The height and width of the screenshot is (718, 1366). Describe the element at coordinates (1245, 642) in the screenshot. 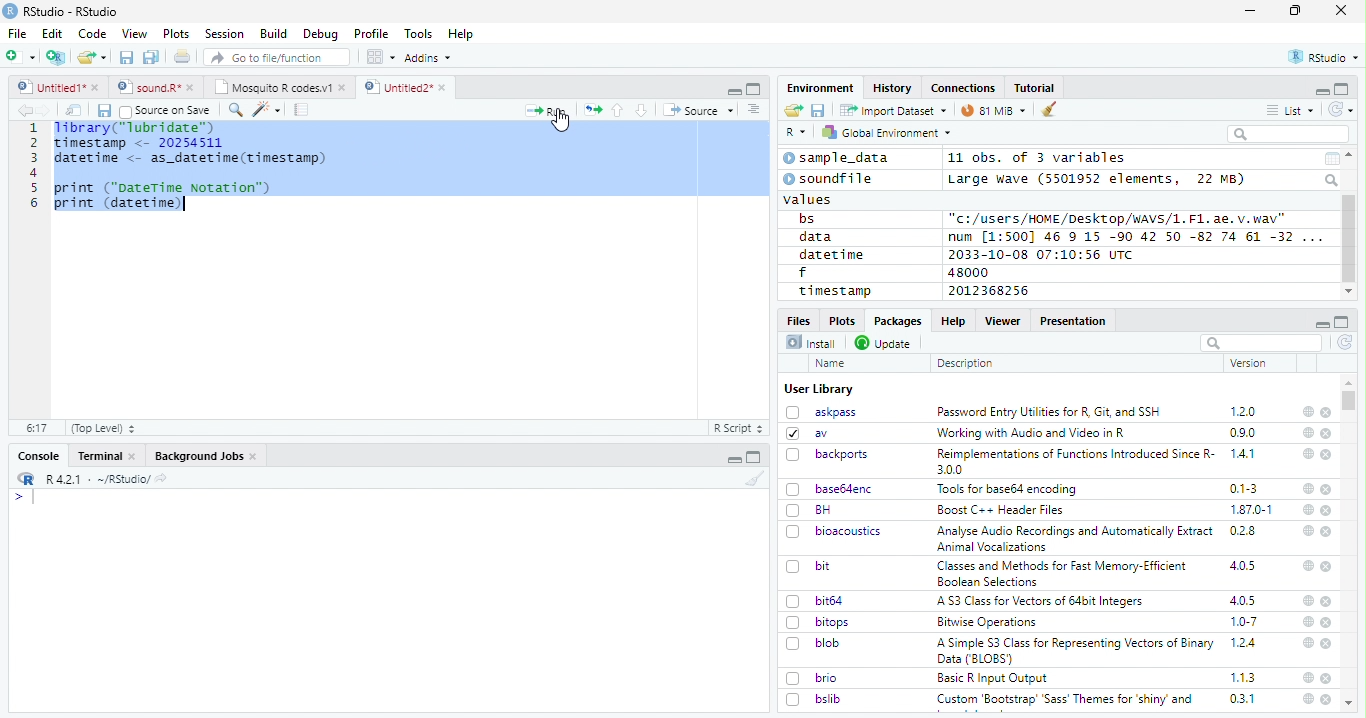

I see `1.2.4` at that location.